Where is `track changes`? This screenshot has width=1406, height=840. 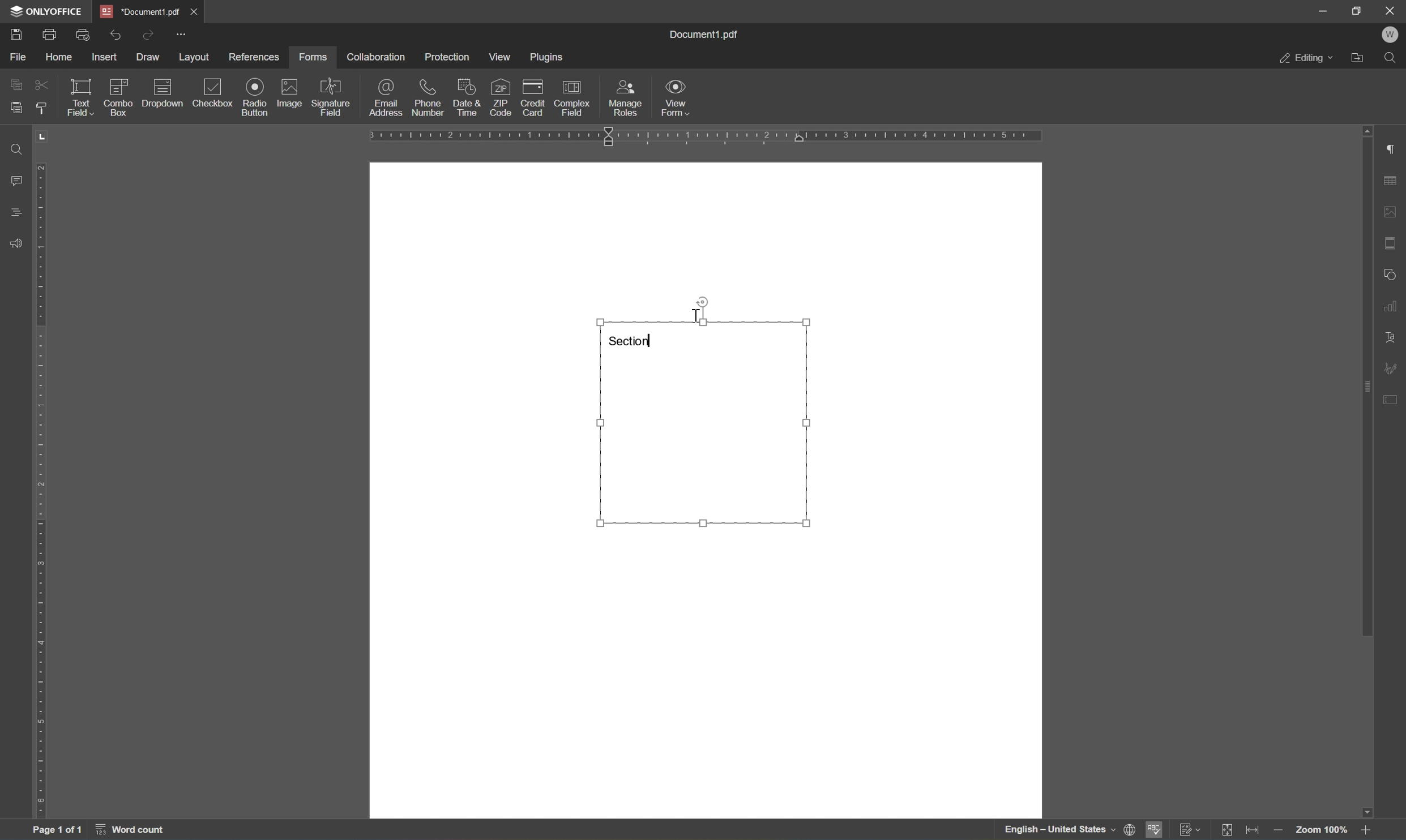 track changes is located at coordinates (1192, 830).